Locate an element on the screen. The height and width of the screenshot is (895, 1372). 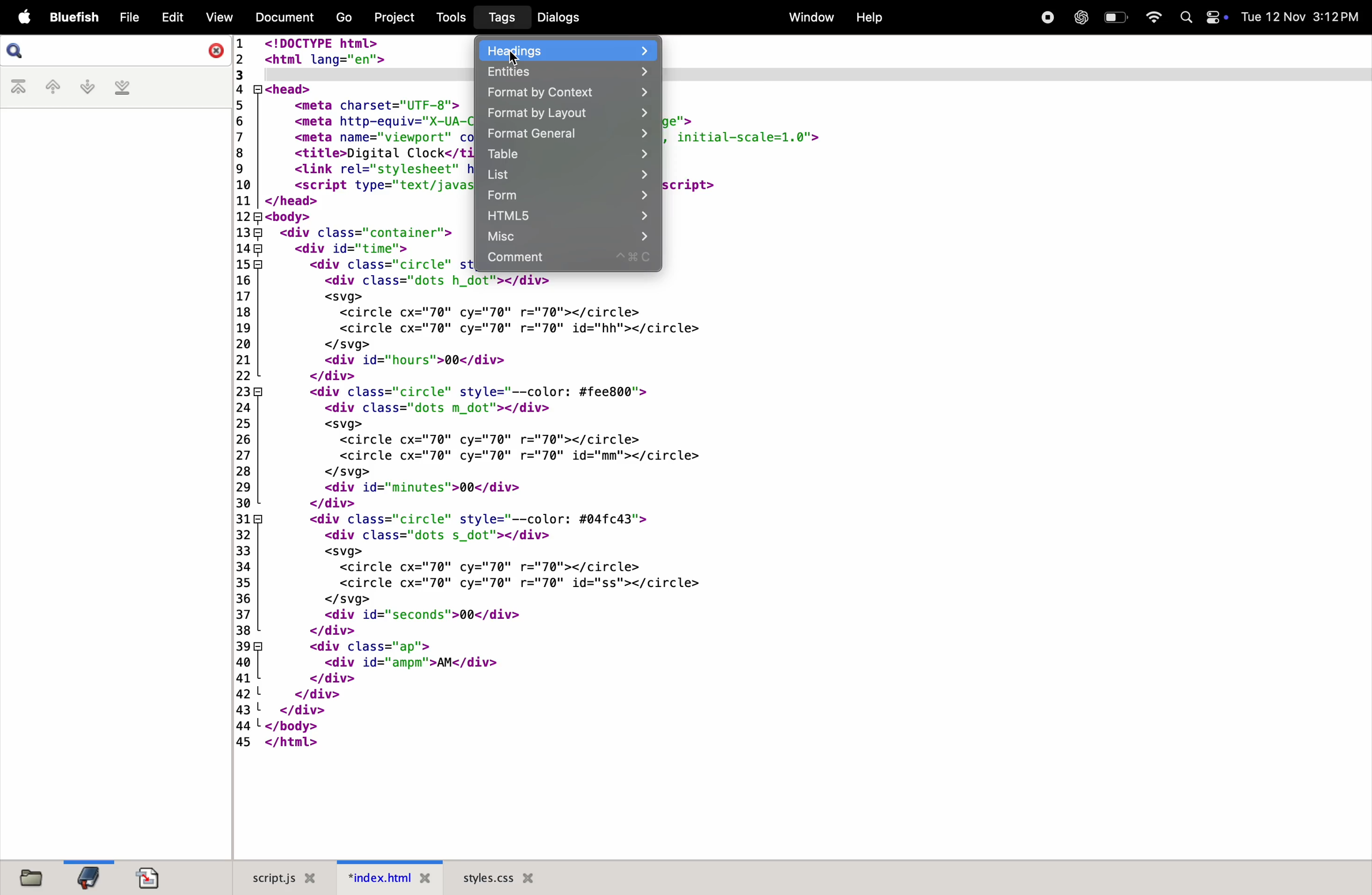
file is located at coordinates (129, 18).